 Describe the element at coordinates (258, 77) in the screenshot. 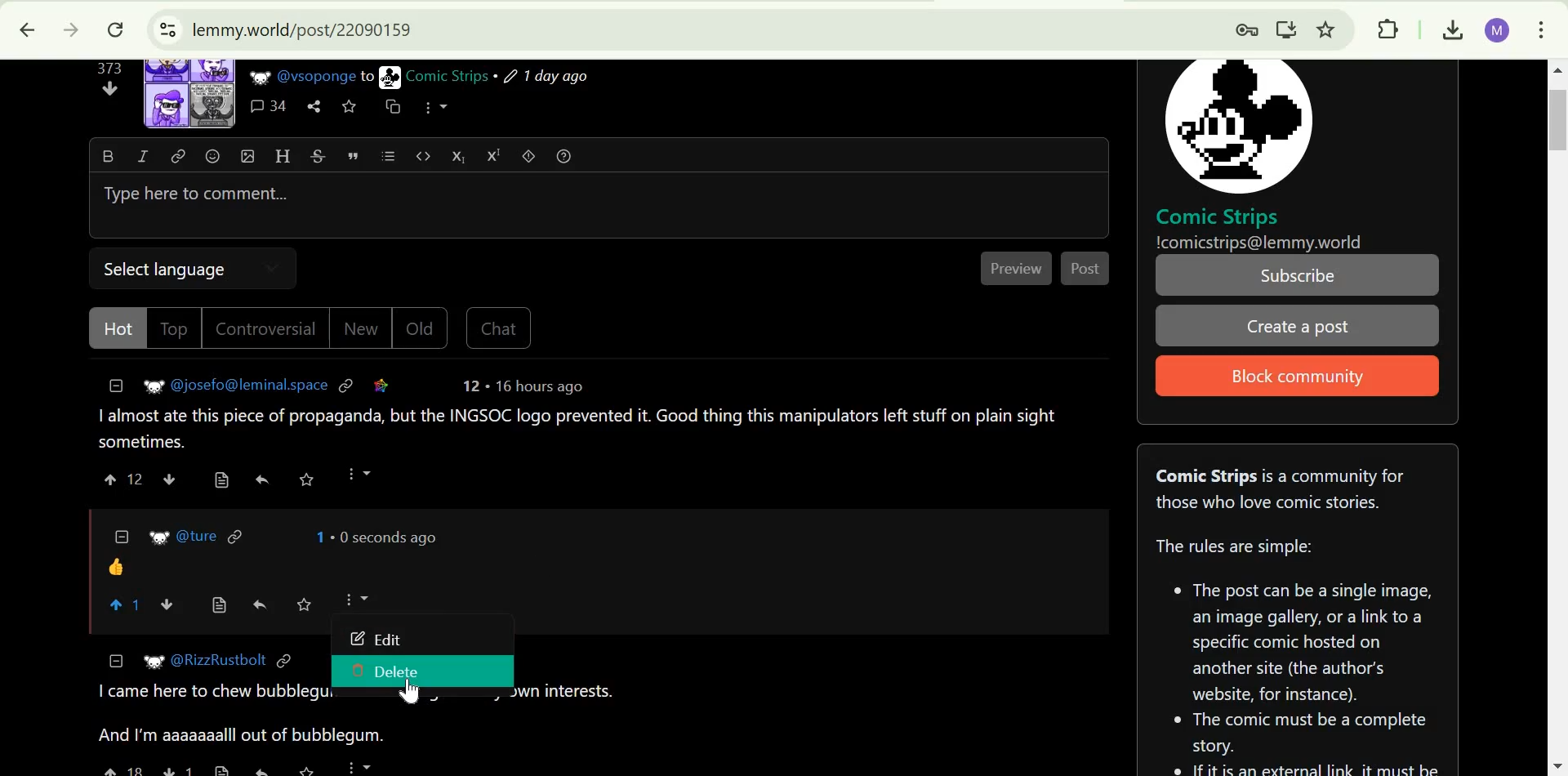

I see `picture` at that location.